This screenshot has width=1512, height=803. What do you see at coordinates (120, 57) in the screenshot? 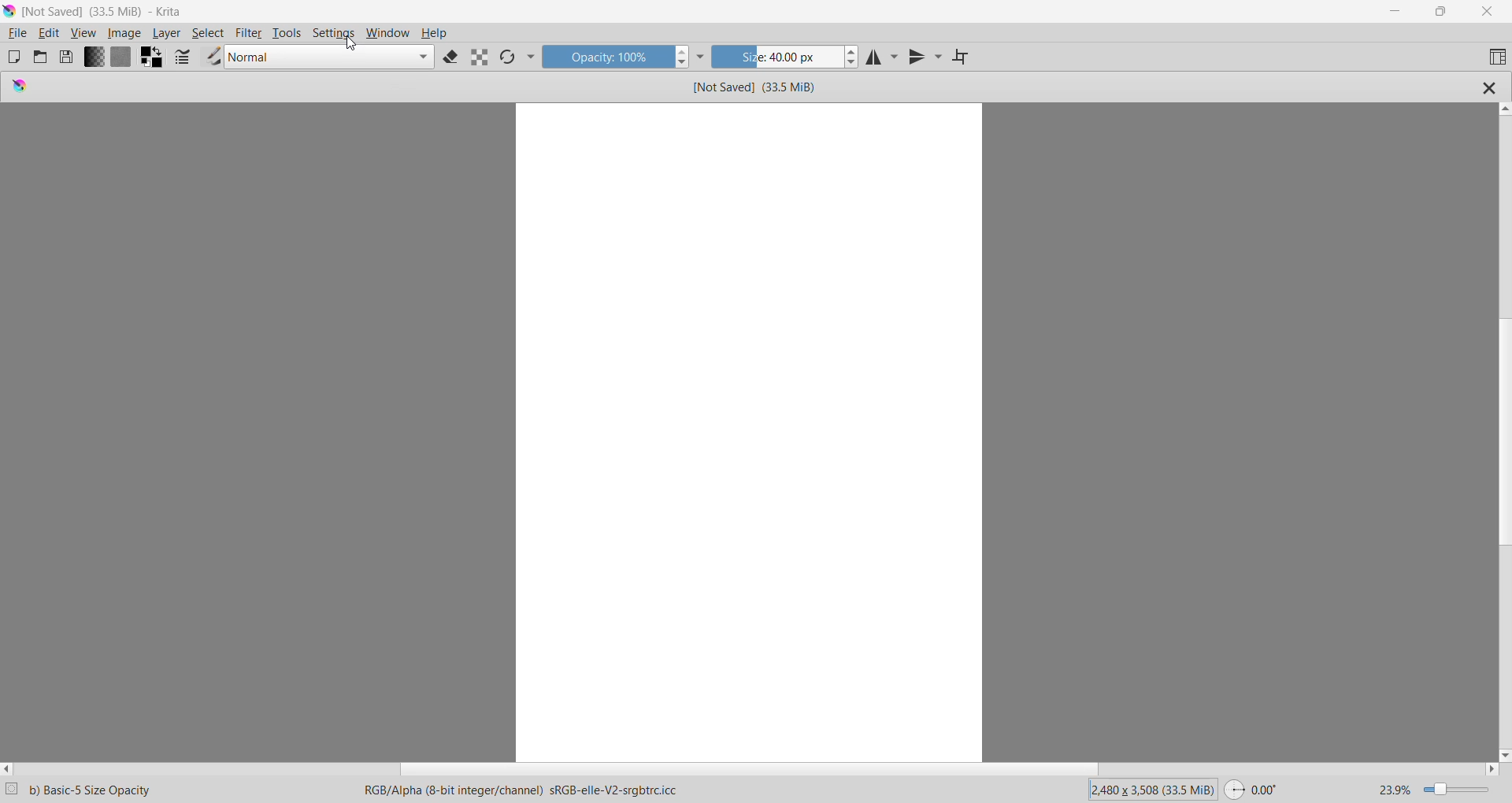
I see `Fill Patterns` at bounding box center [120, 57].